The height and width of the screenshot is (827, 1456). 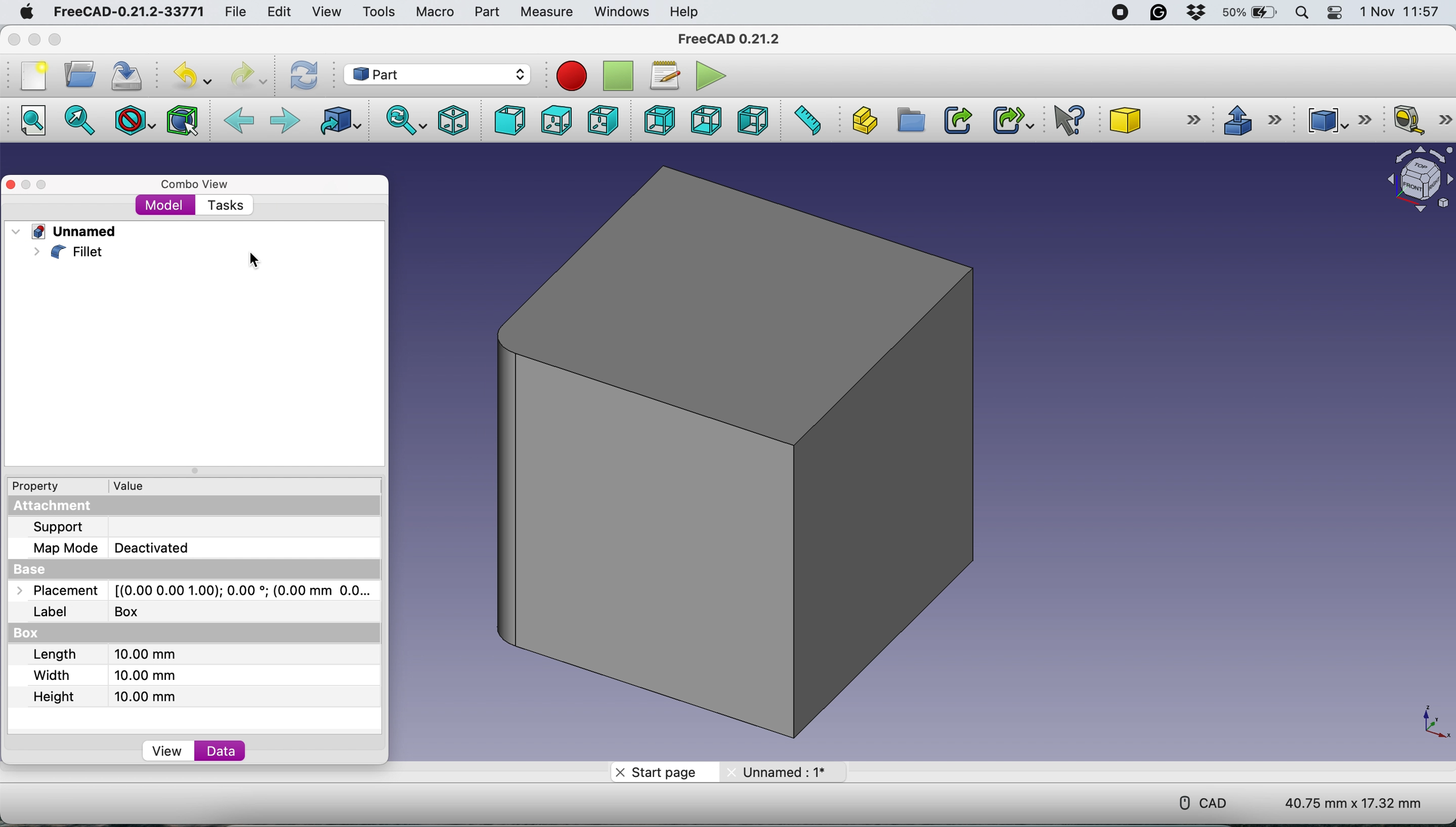 What do you see at coordinates (781, 773) in the screenshot?
I see `unnamed` at bounding box center [781, 773].